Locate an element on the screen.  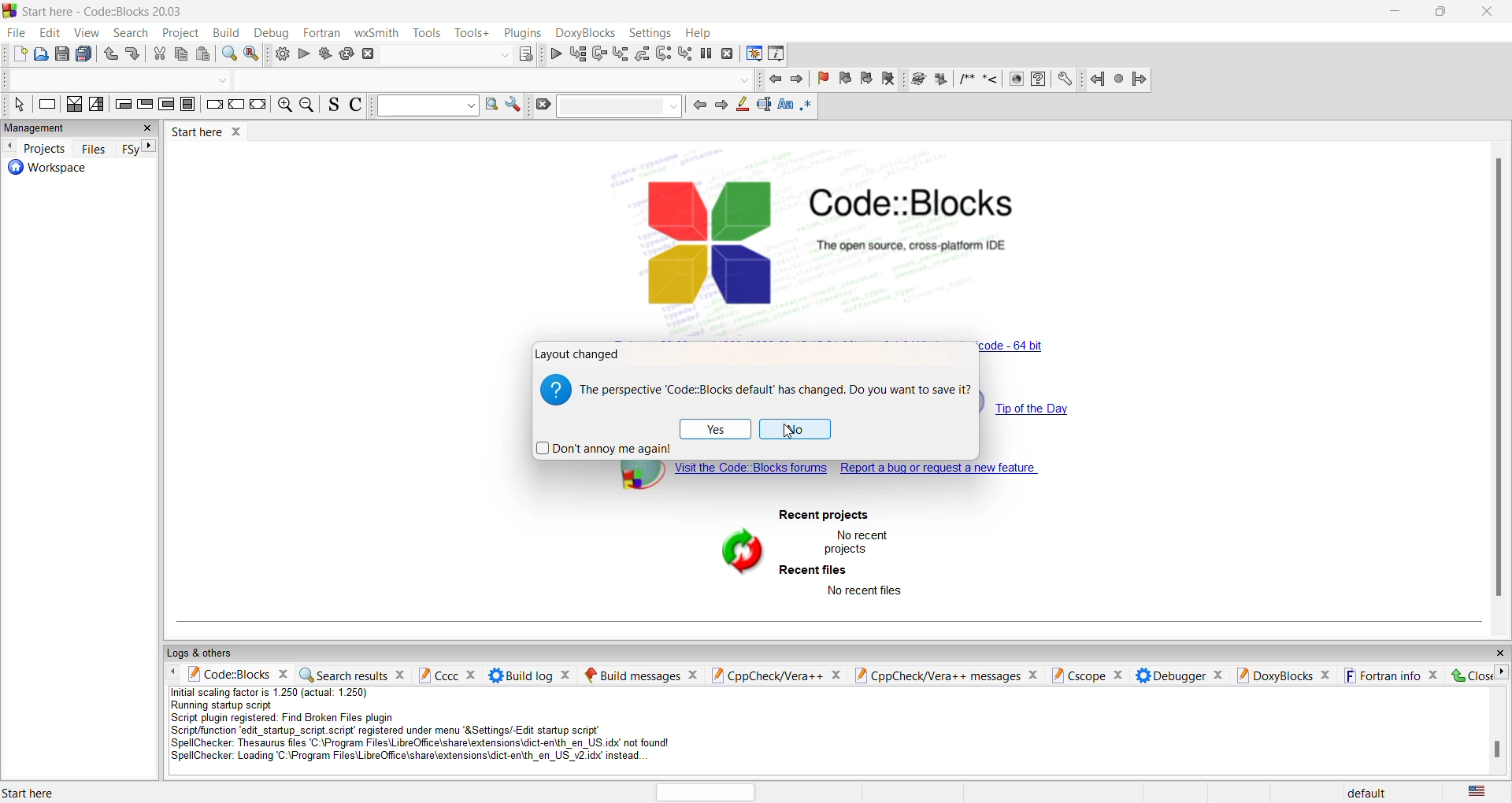
break instructions is located at coordinates (215, 105).